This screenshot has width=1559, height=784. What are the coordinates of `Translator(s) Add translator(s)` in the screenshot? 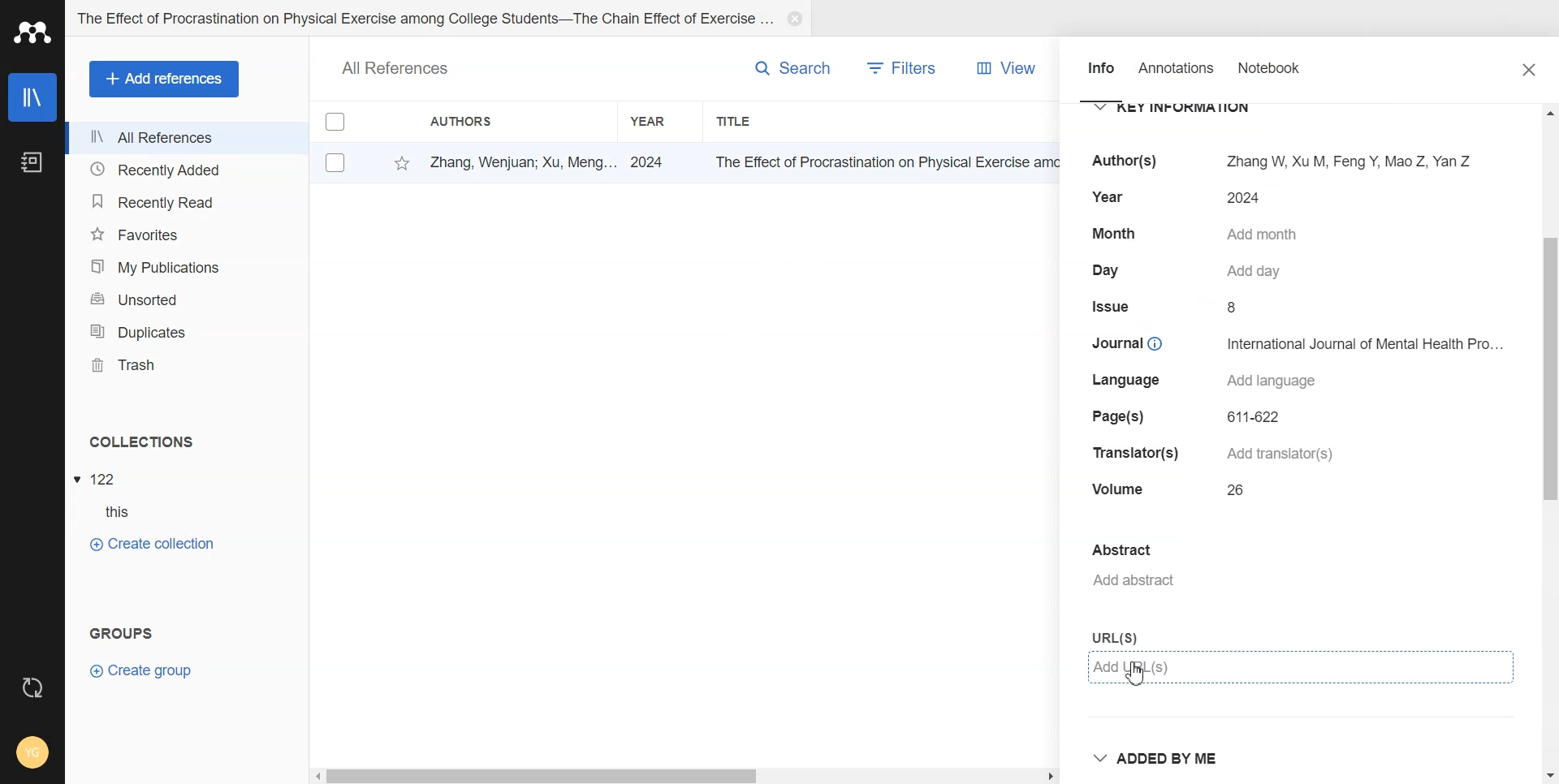 It's located at (1214, 454).